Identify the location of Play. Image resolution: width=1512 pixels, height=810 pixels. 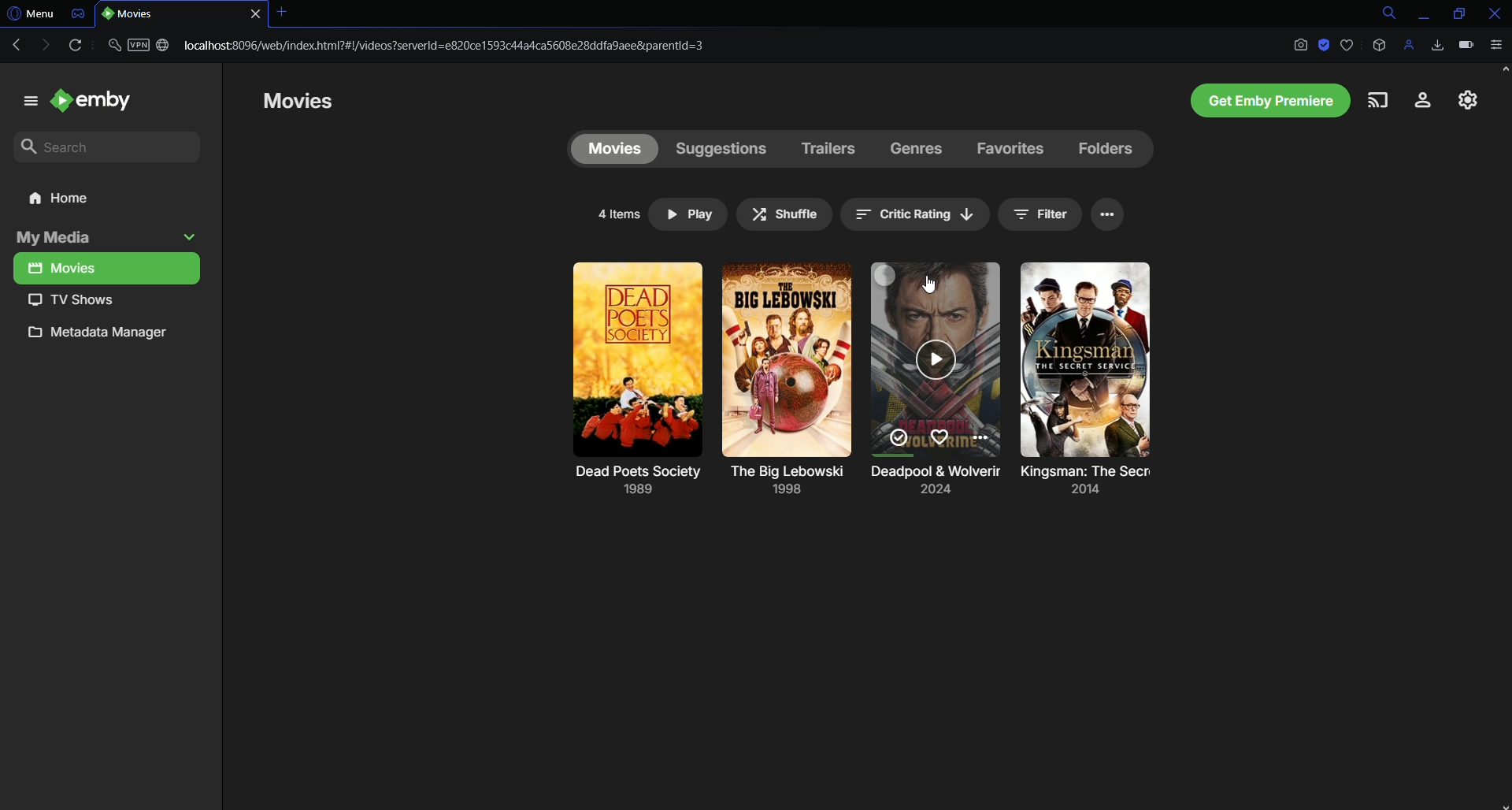
(696, 217).